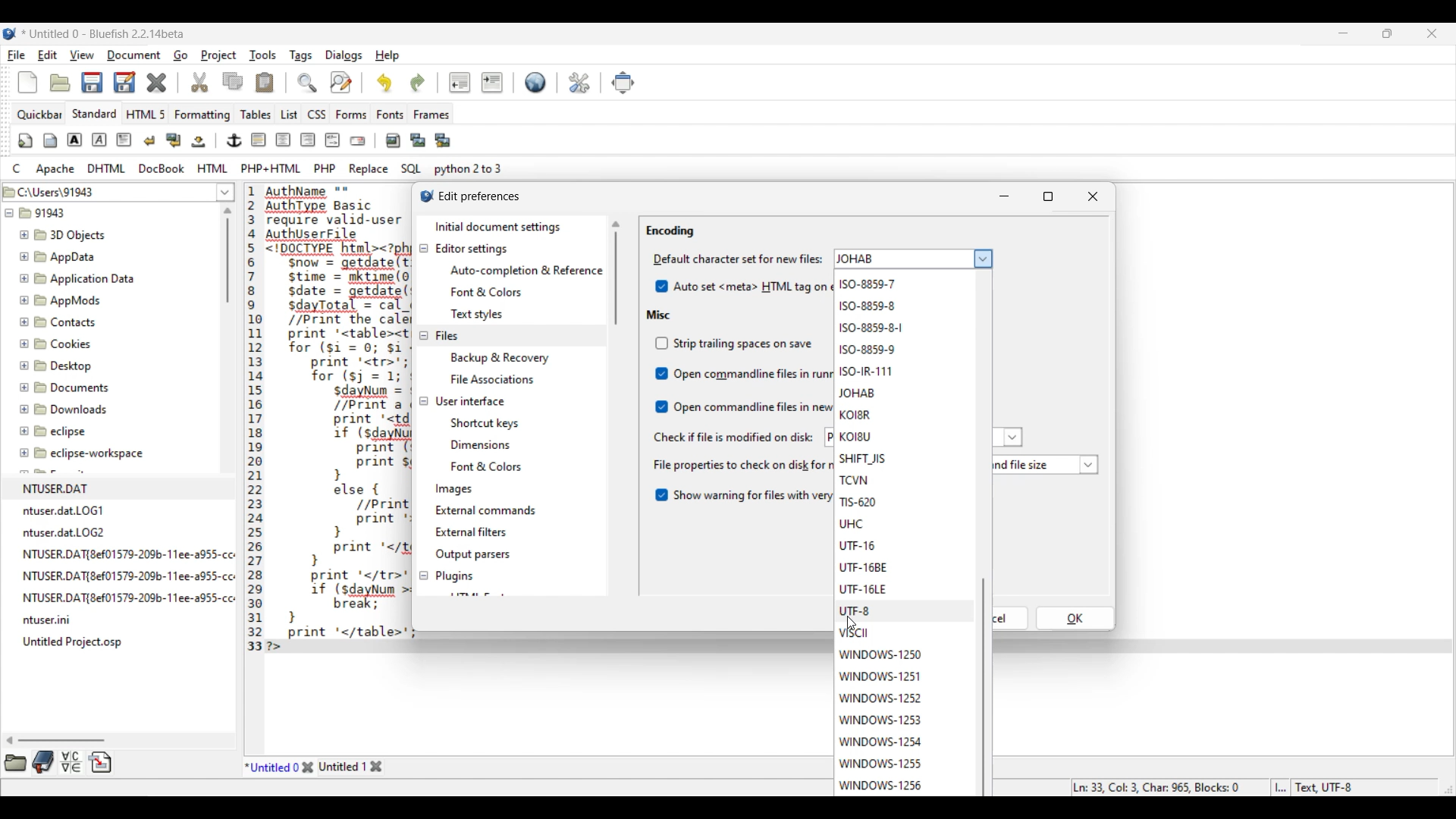 Image resolution: width=1456 pixels, height=819 pixels. I want to click on Image and text edit tools, so click(237, 140).